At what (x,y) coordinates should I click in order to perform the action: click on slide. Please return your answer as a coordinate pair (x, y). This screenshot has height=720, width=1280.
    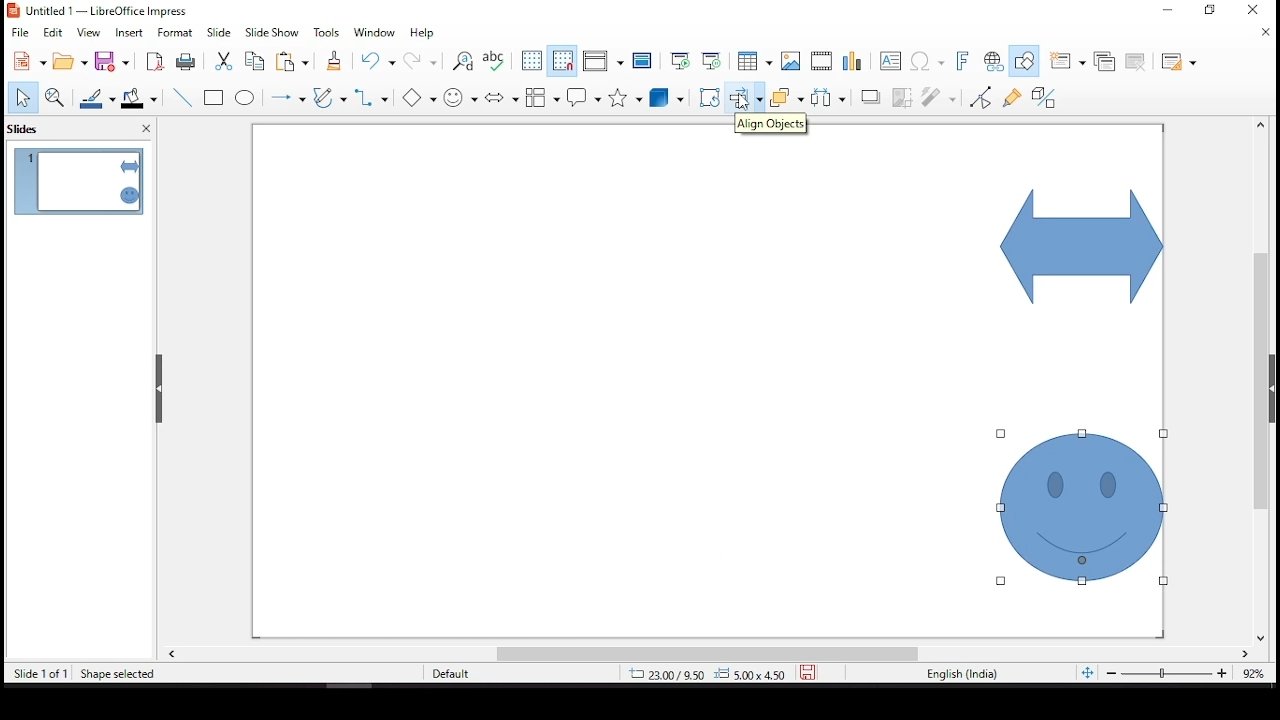
    Looking at the image, I should click on (219, 32).